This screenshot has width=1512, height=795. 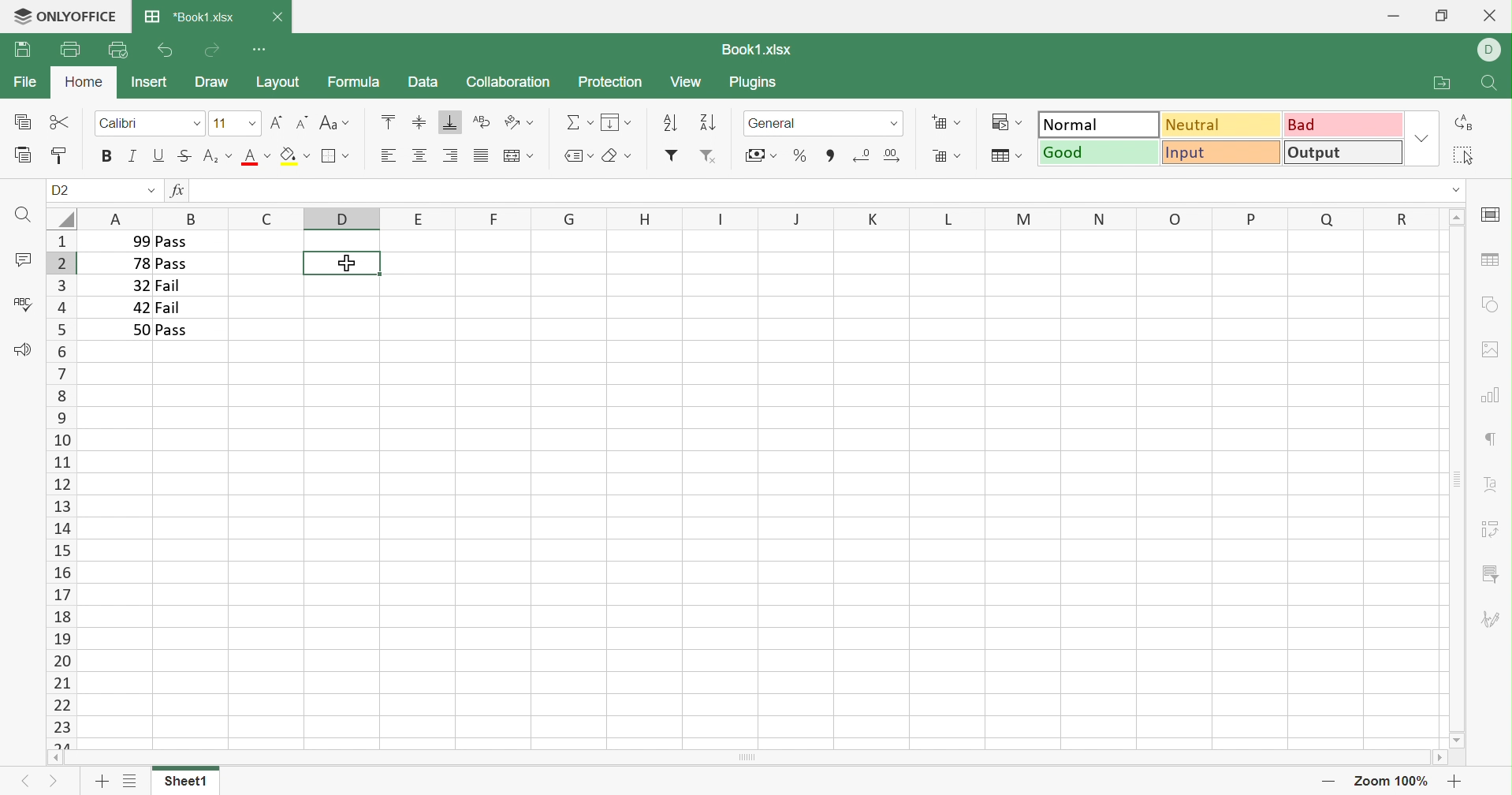 What do you see at coordinates (1491, 304) in the screenshot?
I see `Shape settings` at bounding box center [1491, 304].